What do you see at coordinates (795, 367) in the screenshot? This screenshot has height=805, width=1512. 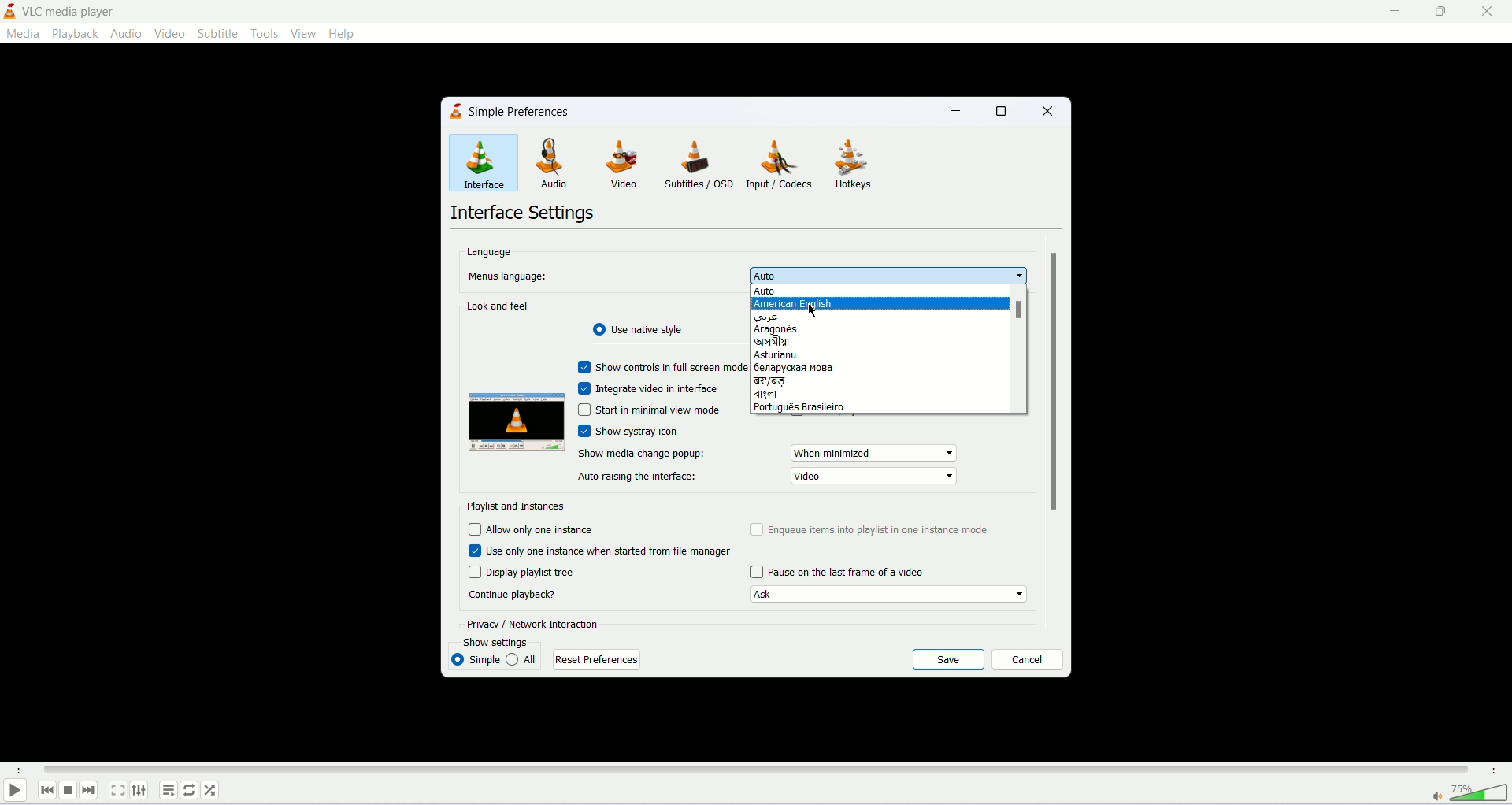 I see `belarusian` at bounding box center [795, 367].